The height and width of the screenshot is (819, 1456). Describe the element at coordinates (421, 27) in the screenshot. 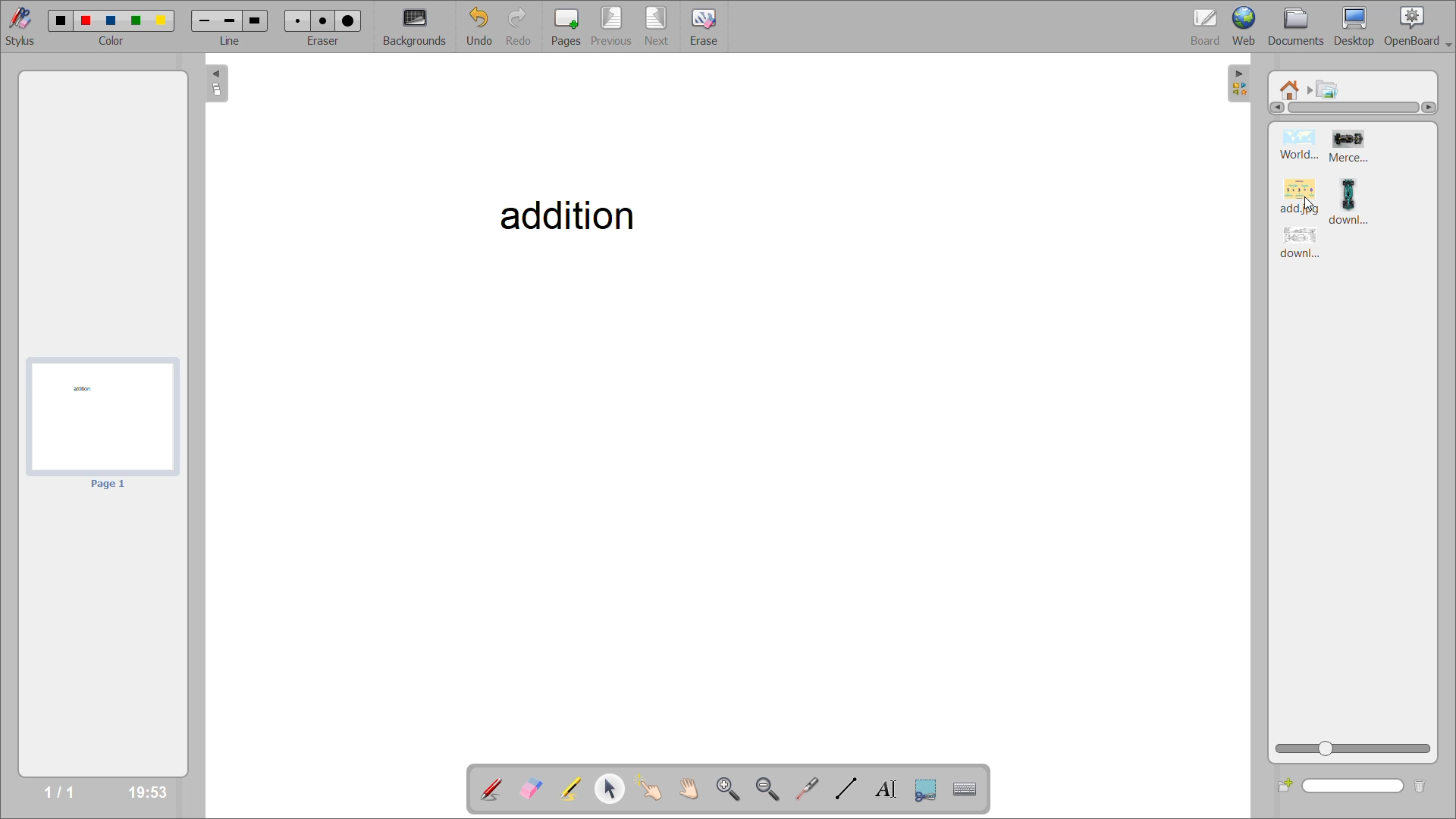

I see `backgrounds` at that location.